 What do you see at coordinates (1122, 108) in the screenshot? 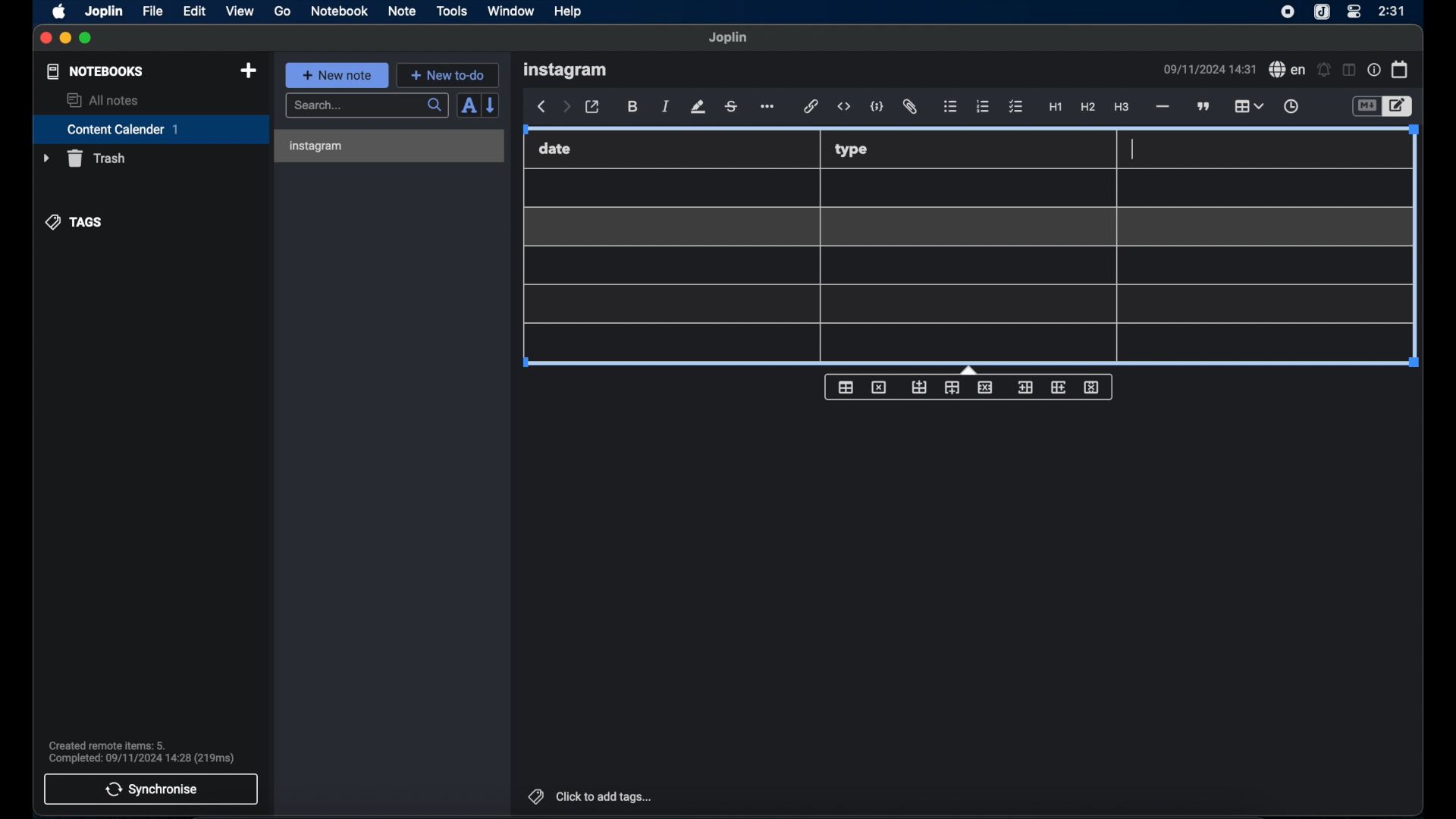
I see `heading 3` at bounding box center [1122, 108].